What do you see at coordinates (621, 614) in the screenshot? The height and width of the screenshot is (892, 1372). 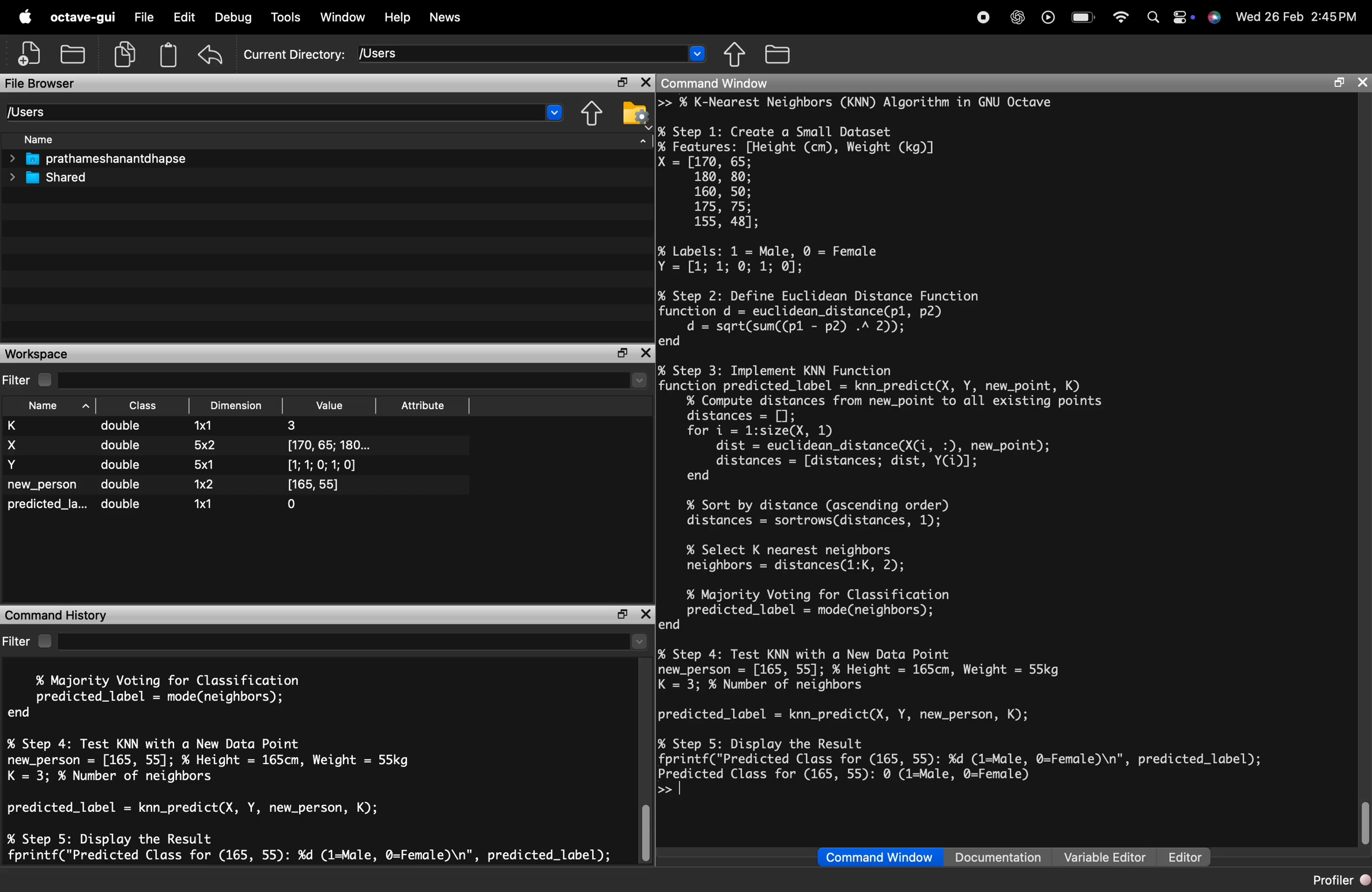 I see `maximise` at bounding box center [621, 614].